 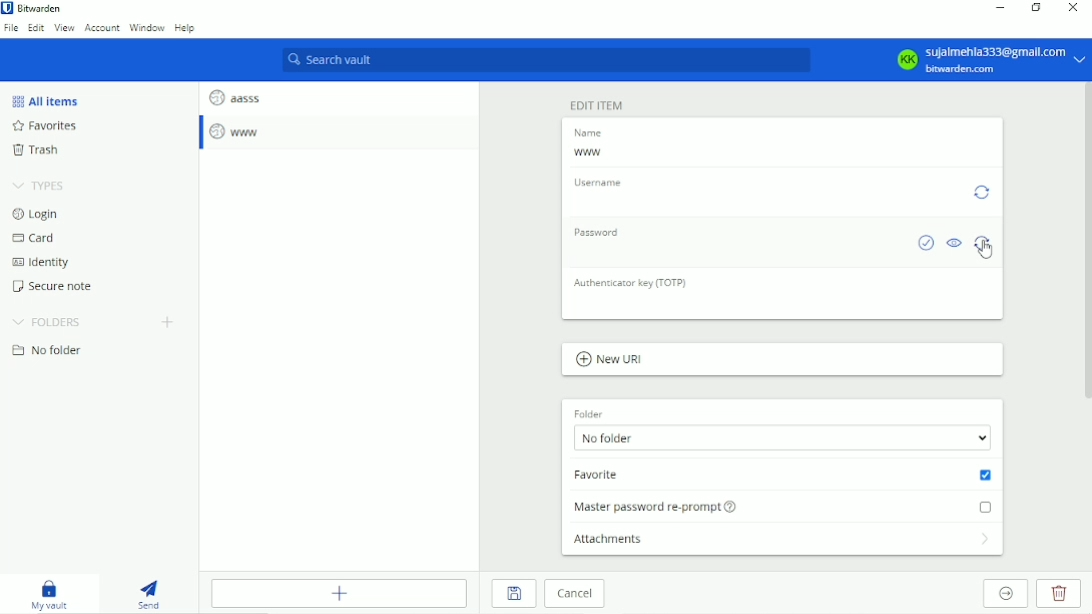 I want to click on Secure note, so click(x=57, y=286).